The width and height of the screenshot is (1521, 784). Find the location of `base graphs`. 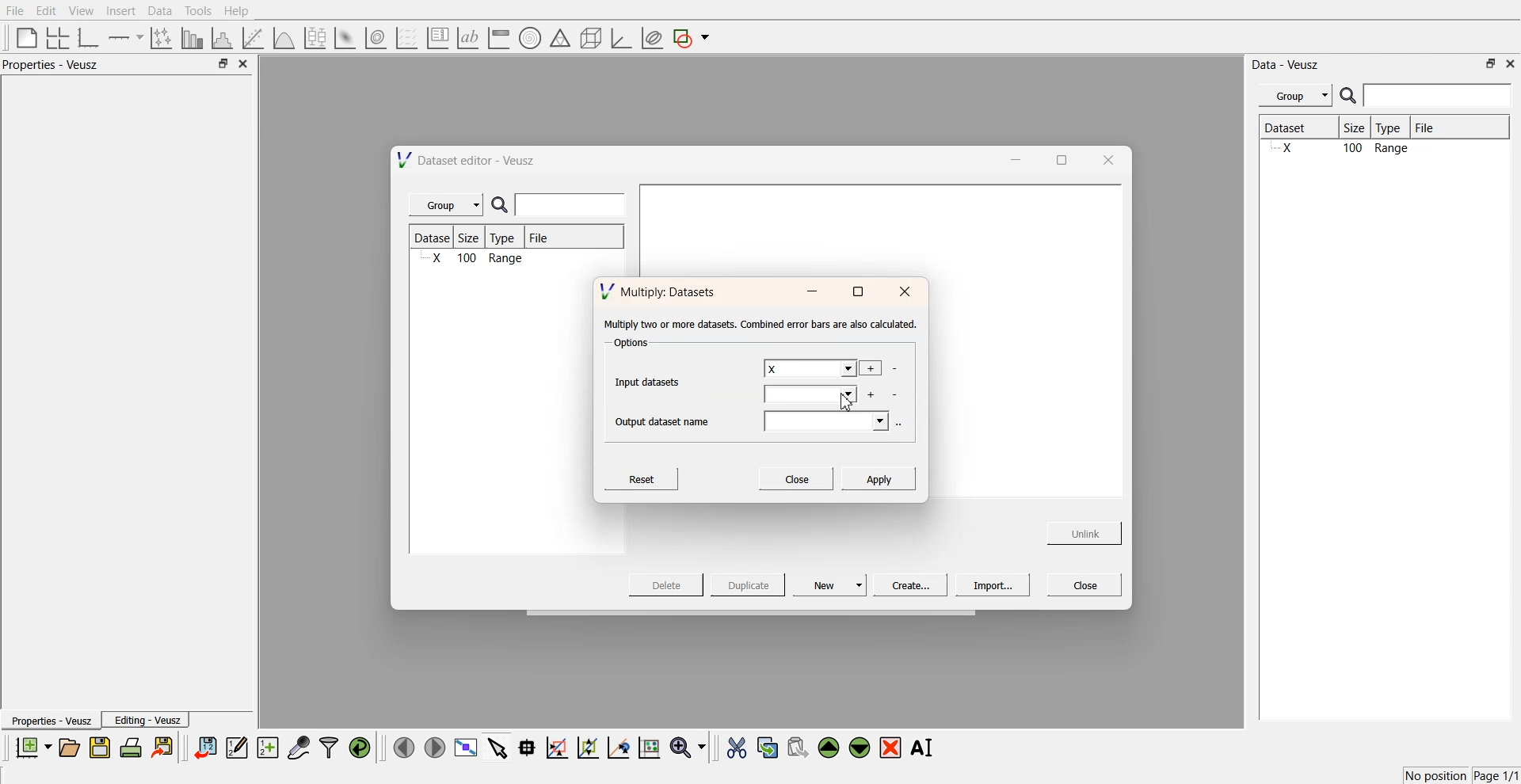

base graphs is located at coordinates (90, 37).